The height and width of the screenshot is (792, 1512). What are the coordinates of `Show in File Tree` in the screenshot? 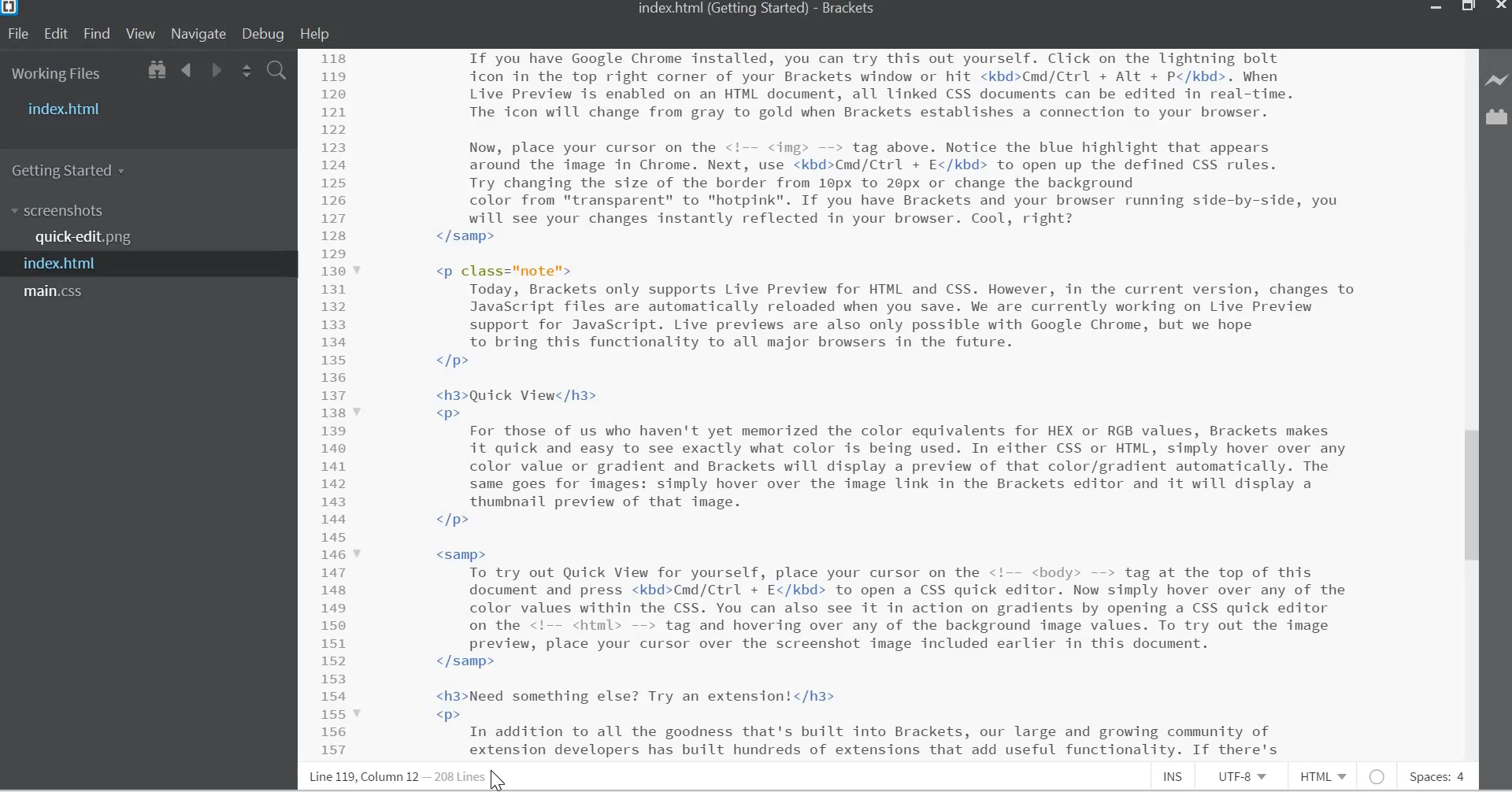 It's located at (157, 69).